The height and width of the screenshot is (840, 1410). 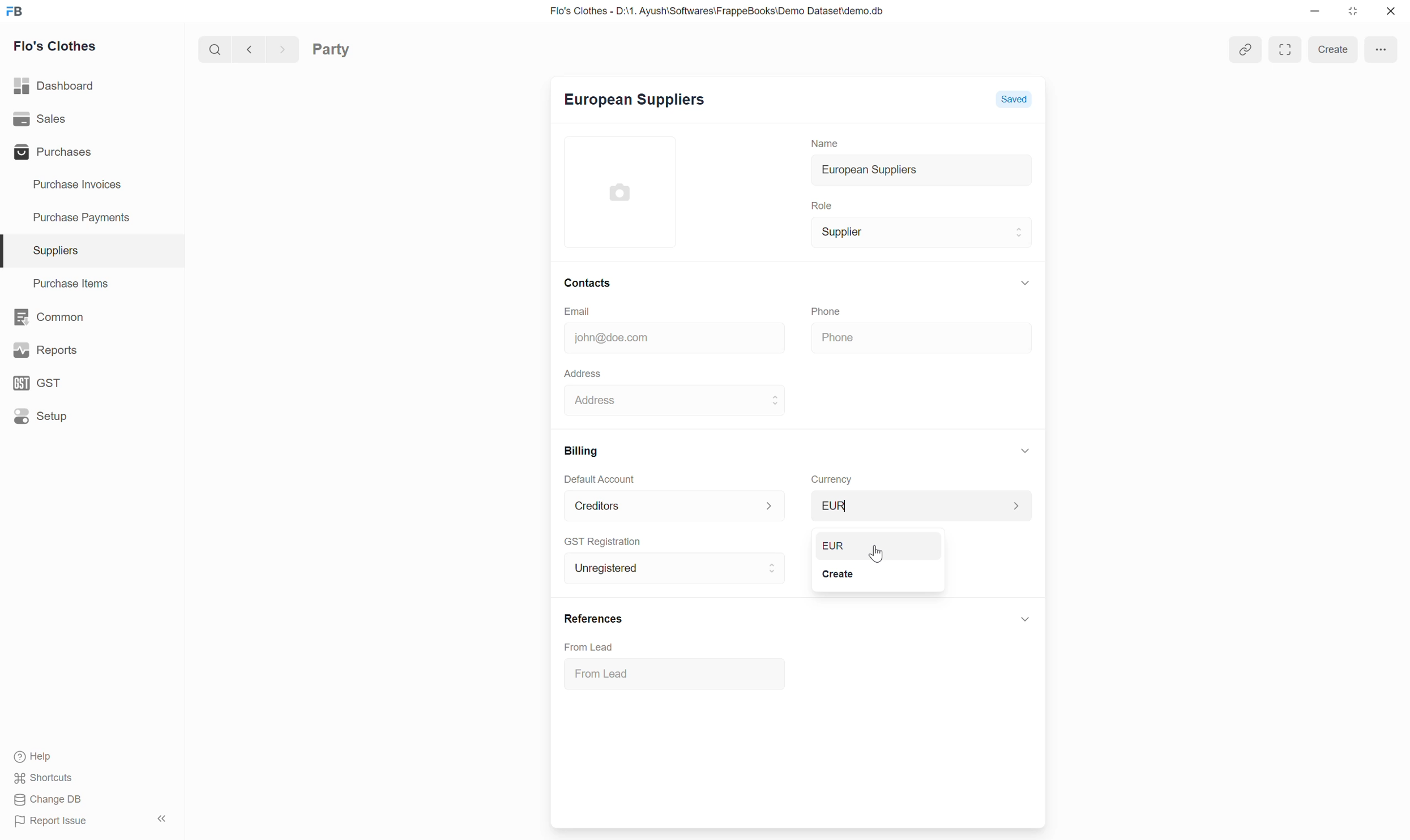 I want to click on close down, so click(x=1354, y=12).